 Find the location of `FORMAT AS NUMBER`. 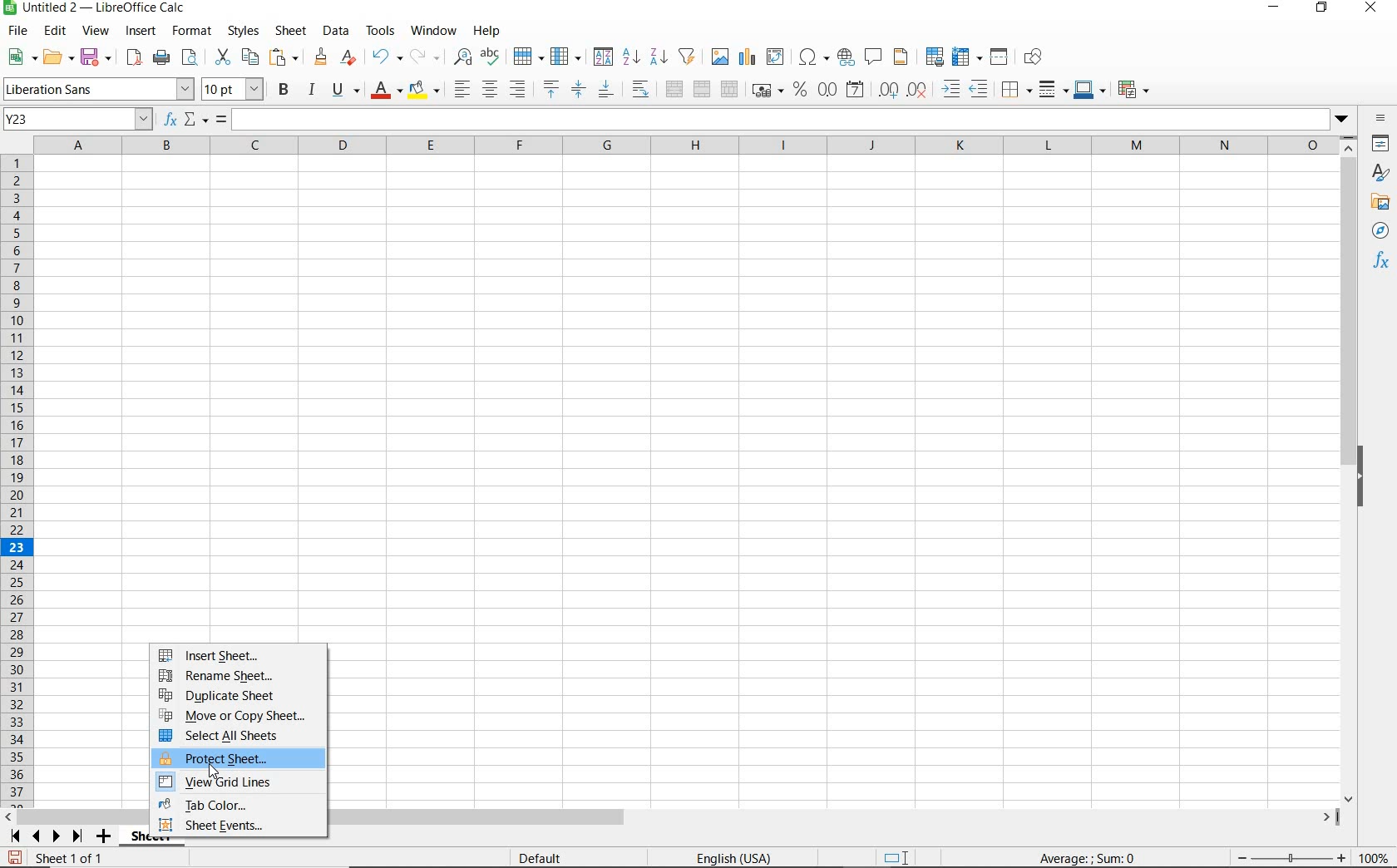

FORMAT AS NUMBER is located at coordinates (828, 89).